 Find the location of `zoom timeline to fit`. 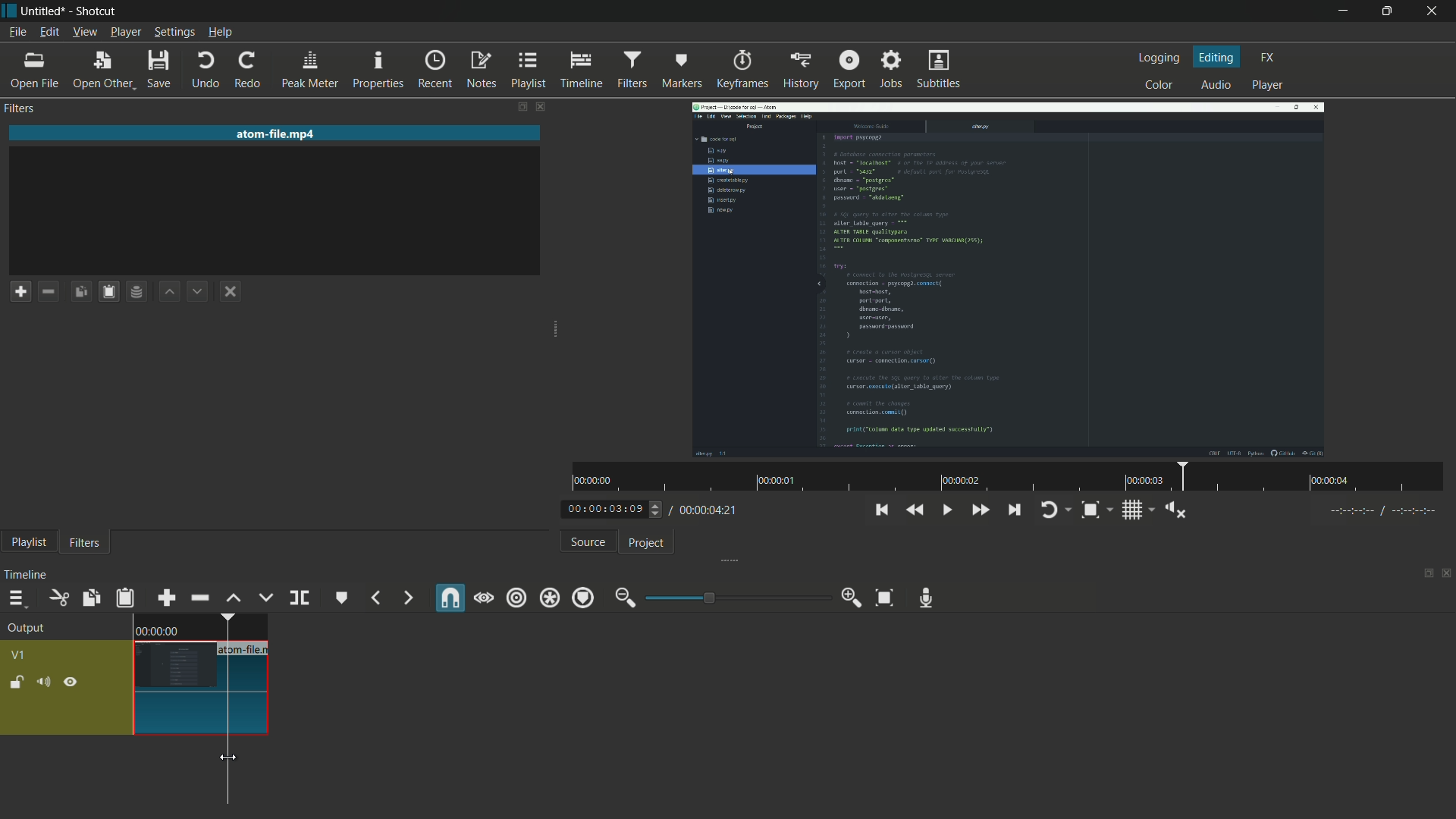

zoom timeline to fit is located at coordinates (883, 598).